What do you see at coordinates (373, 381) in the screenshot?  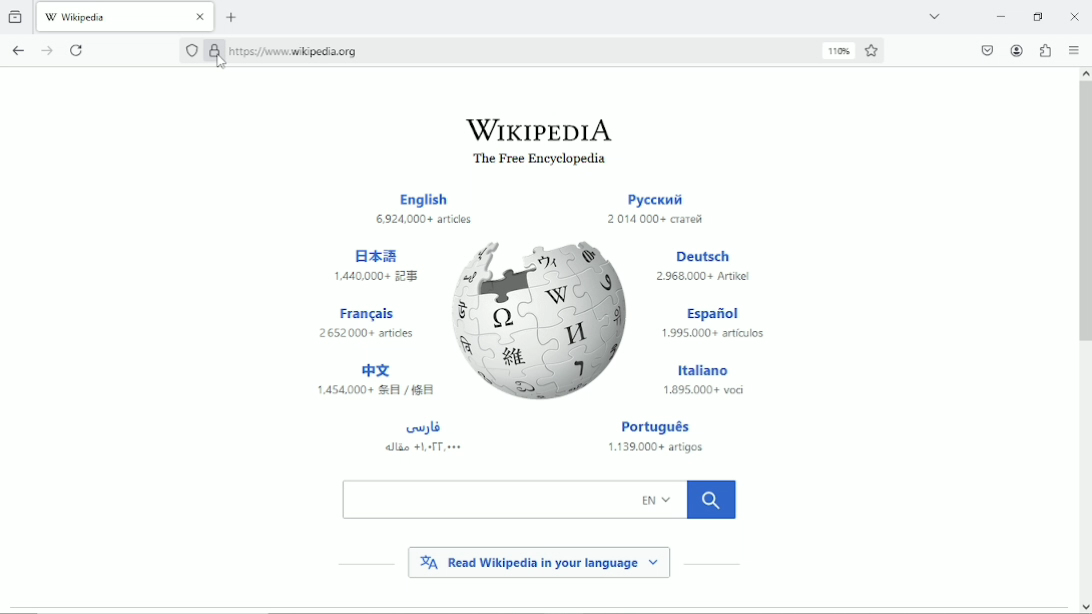 I see `foreign language` at bounding box center [373, 381].